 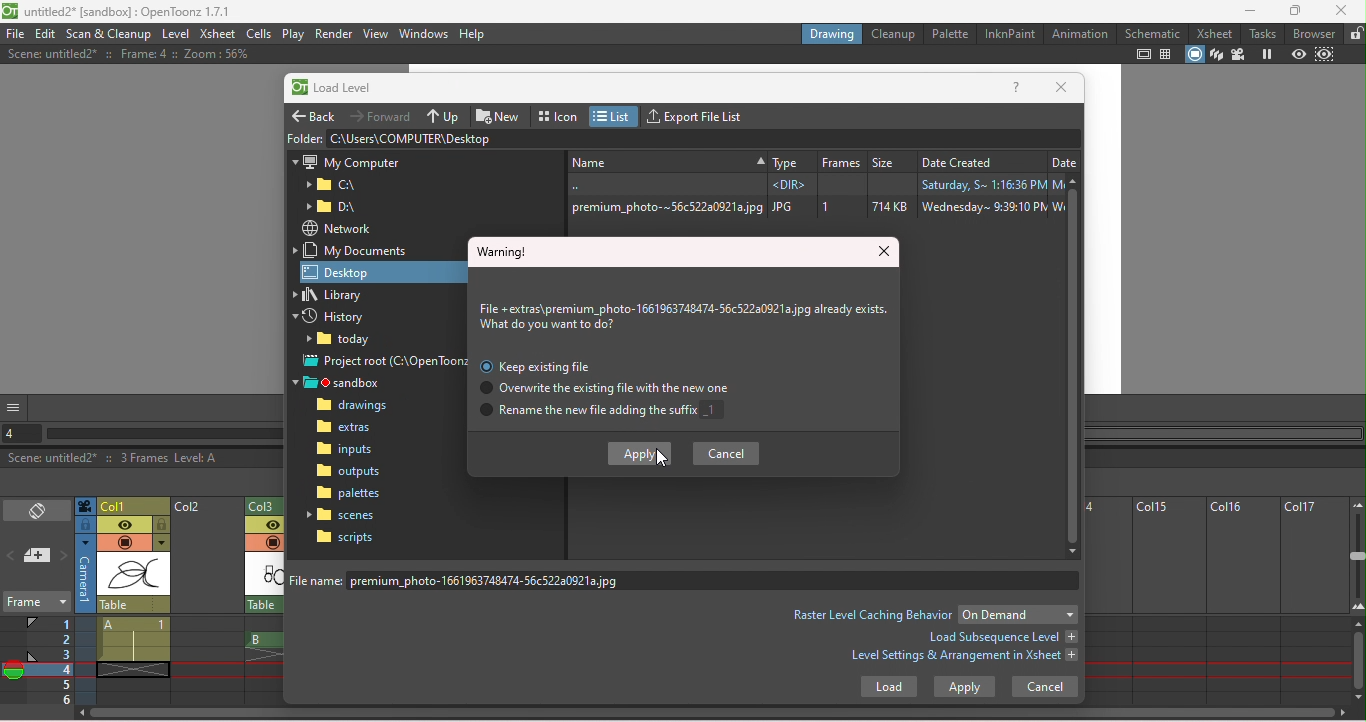 I want to click on Zoom out, so click(x=1356, y=504).